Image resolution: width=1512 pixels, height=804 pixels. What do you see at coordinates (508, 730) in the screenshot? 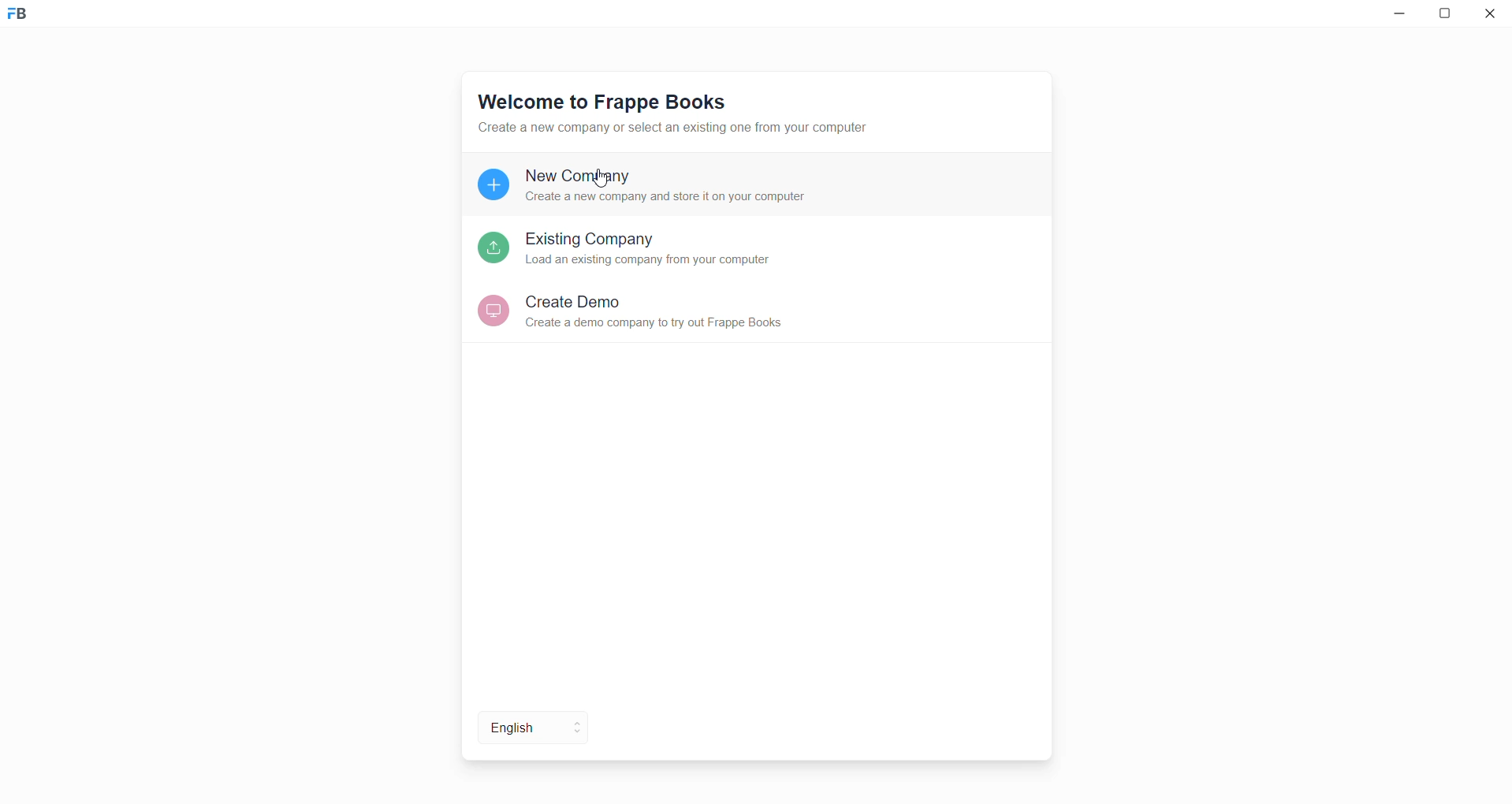
I see `select language ` at bounding box center [508, 730].